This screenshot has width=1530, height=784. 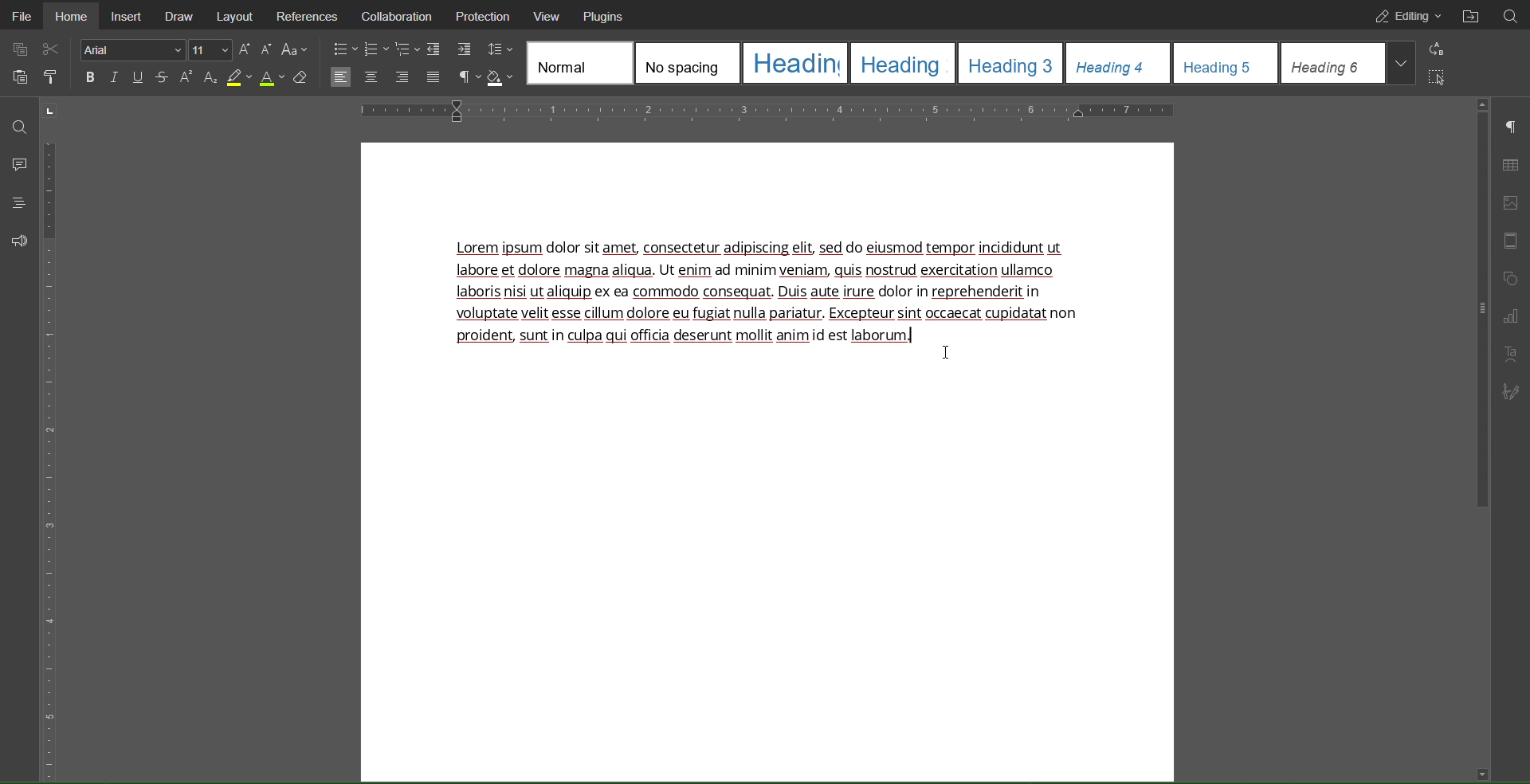 What do you see at coordinates (1510, 163) in the screenshot?
I see `Table Settings` at bounding box center [1510, 163].